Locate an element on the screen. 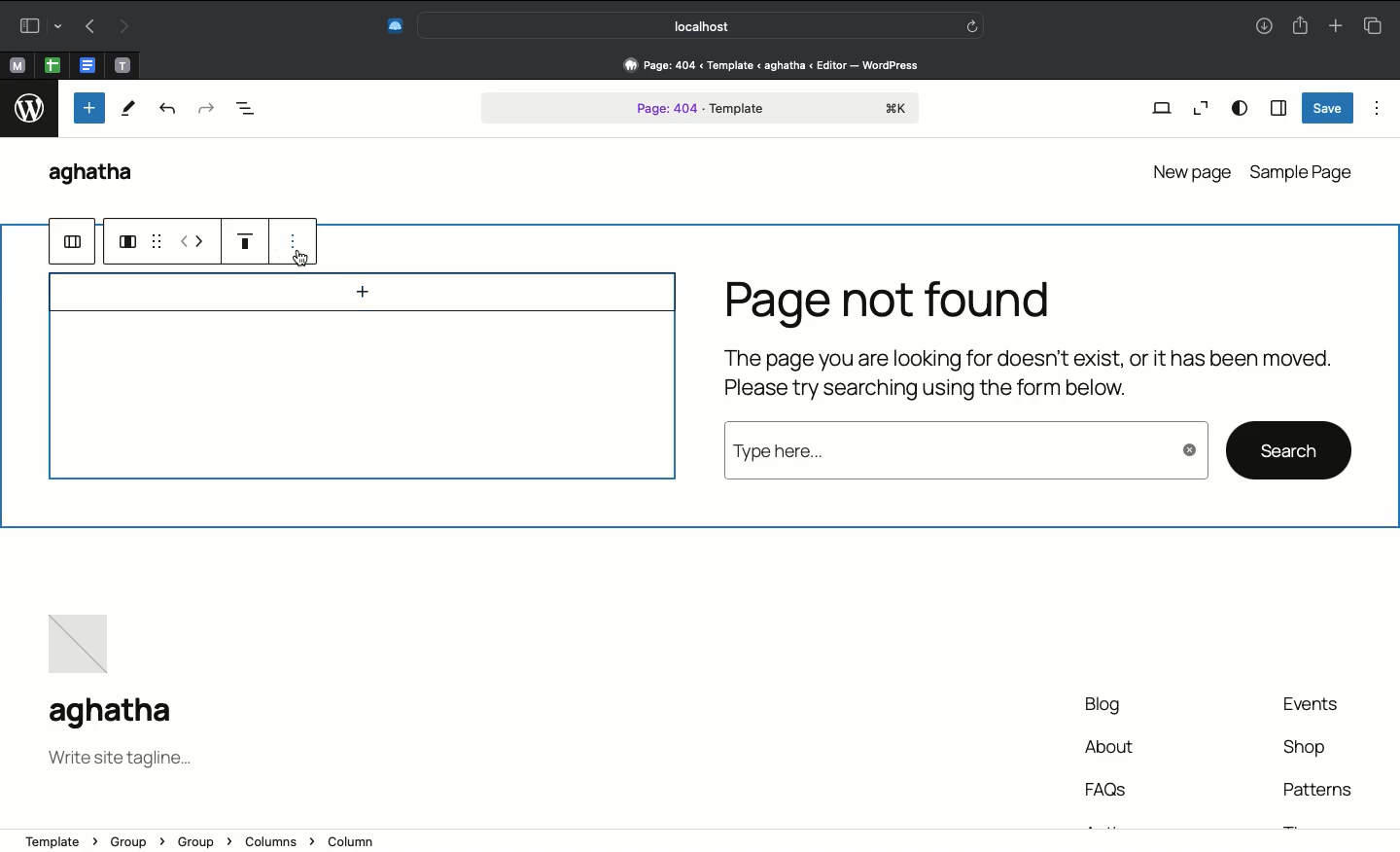 The image size is (1400, 852). New page is located at coordinates (1189, 169).